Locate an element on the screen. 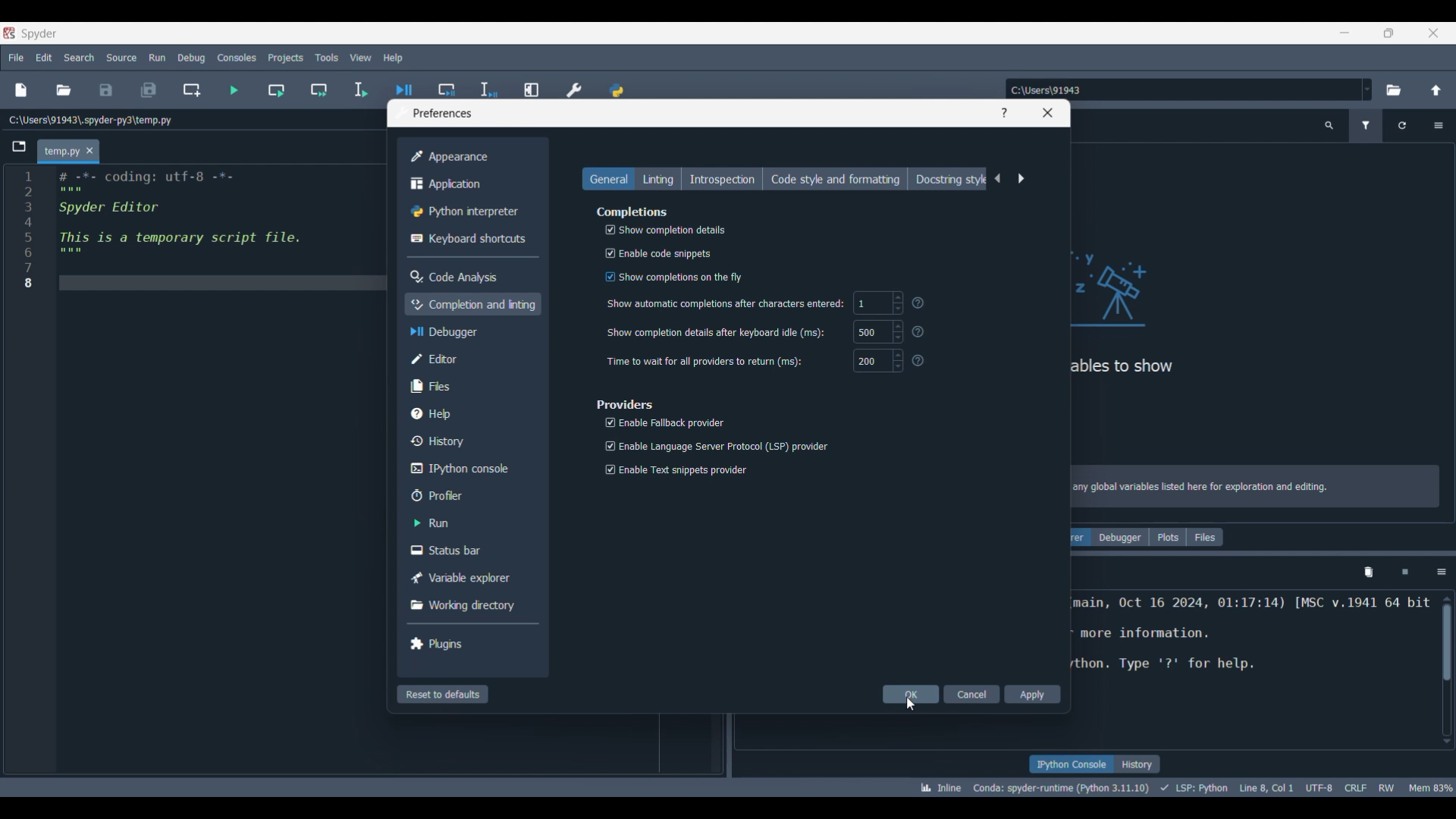 This screenshot has height=819, width=1456. Open file is located at coordinates (63, 90).